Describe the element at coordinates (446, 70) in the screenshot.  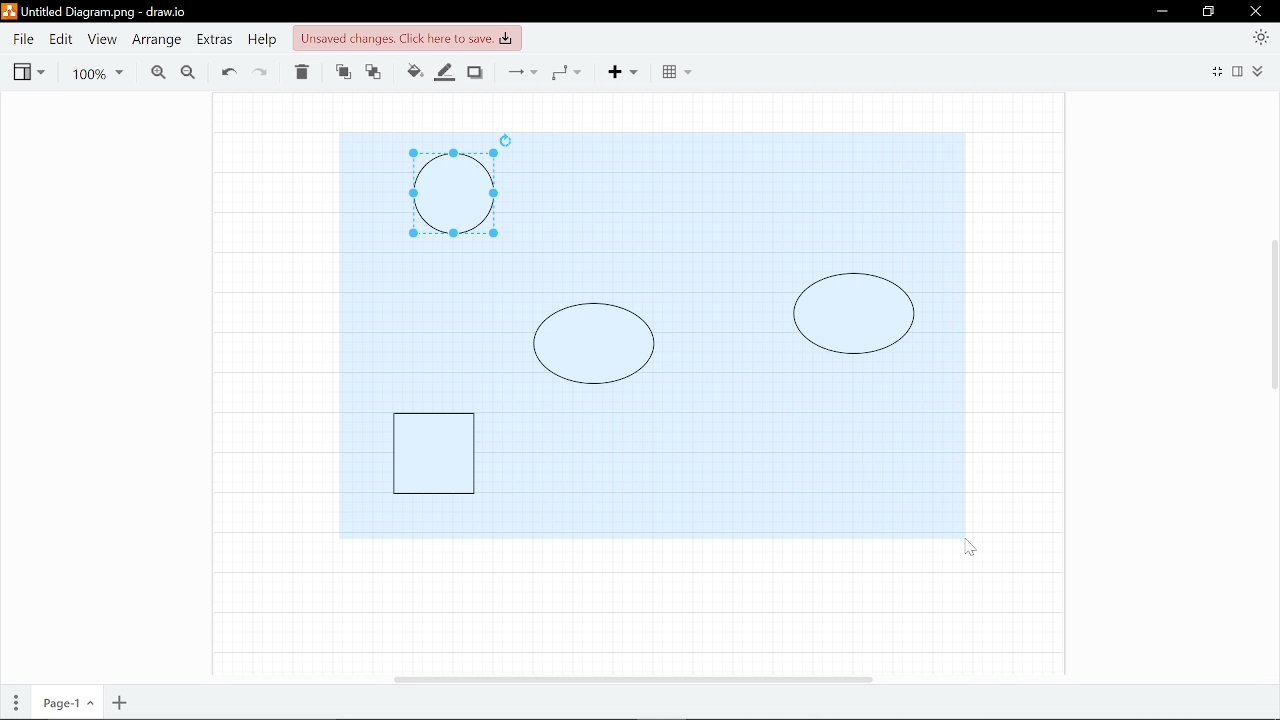
I see `Line color` at that location.